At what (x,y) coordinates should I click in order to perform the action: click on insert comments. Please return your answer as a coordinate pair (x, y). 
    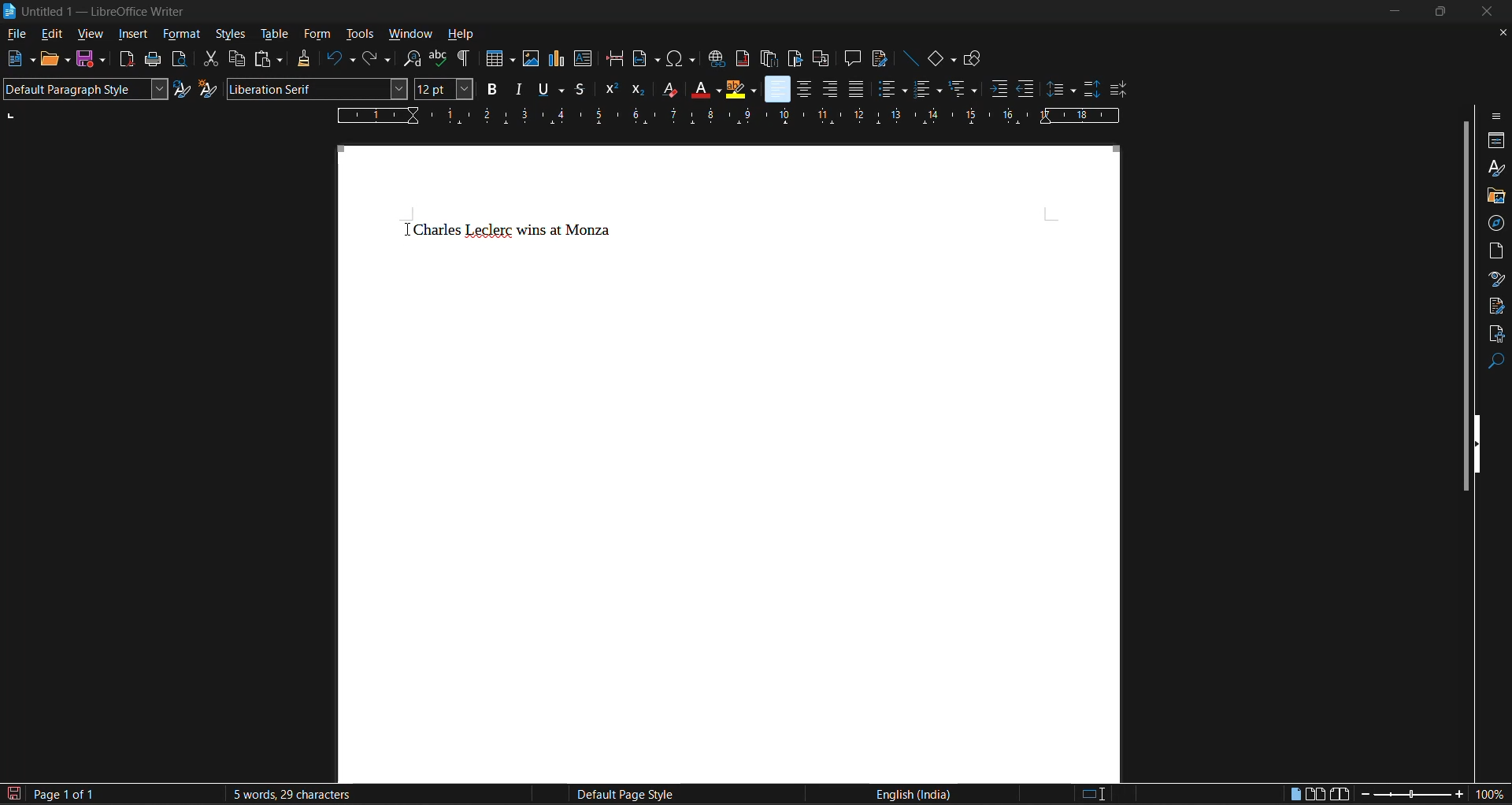
    Looking at the image, I should click on (853, 58).